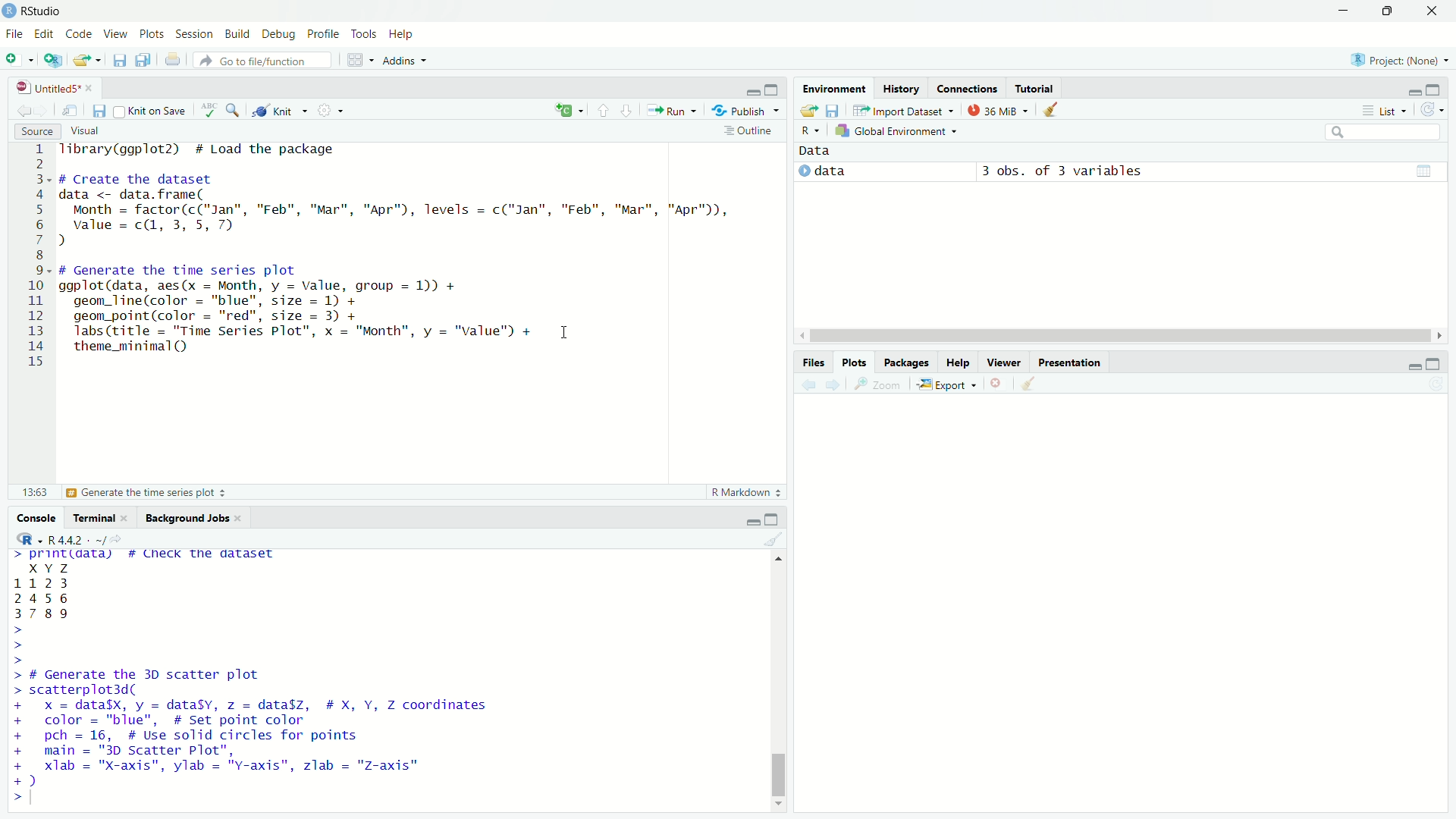 The width and height of the screenshot is (1456, 819). Describe the element at coordinates (236, 35) in the screenshot. I see `Build` at that location.